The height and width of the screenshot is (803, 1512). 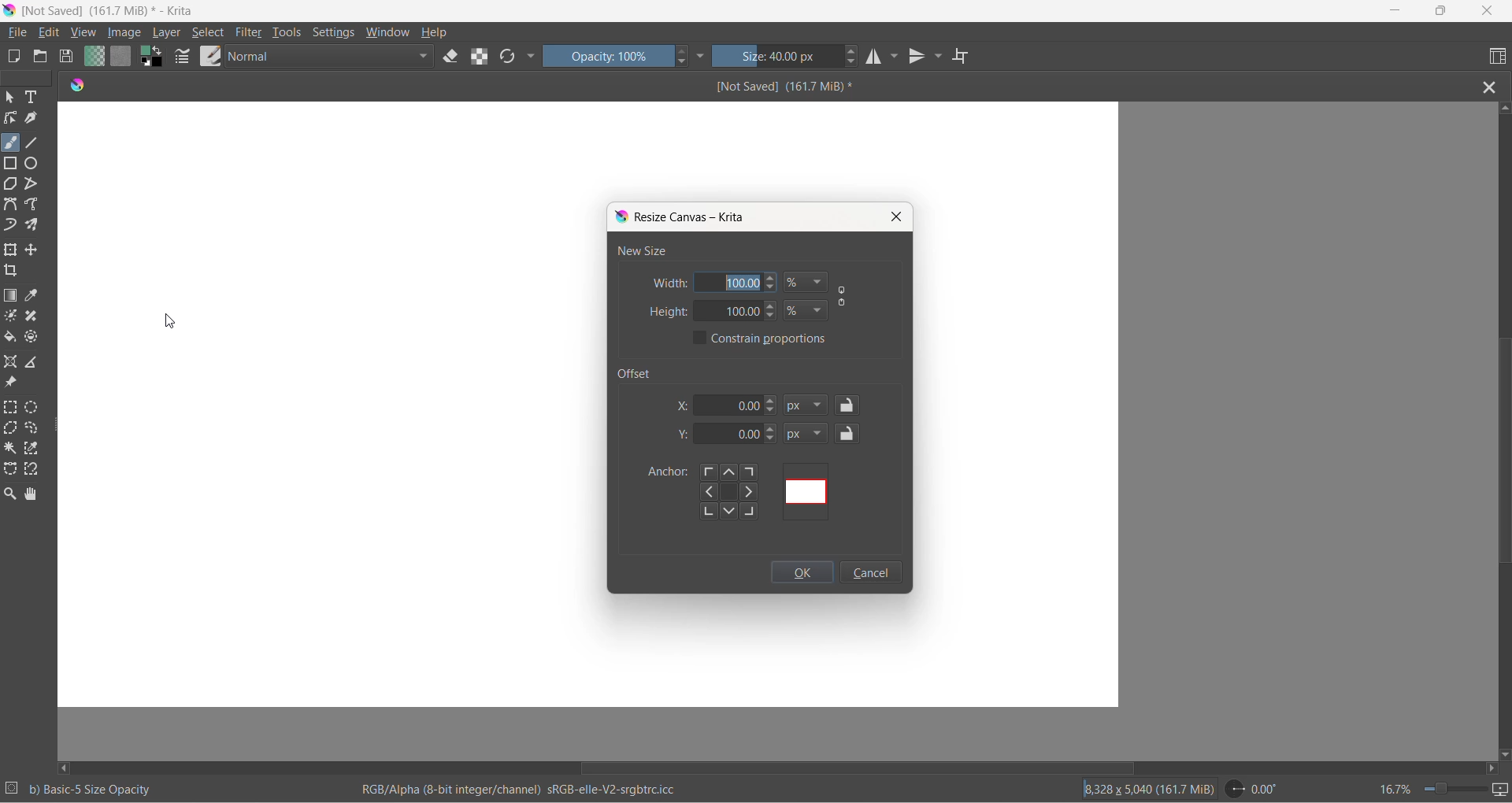 What do you see at coordinates (67, 767) in the screenshot?
I see `scroll left button` at bounding box center [67, 767].